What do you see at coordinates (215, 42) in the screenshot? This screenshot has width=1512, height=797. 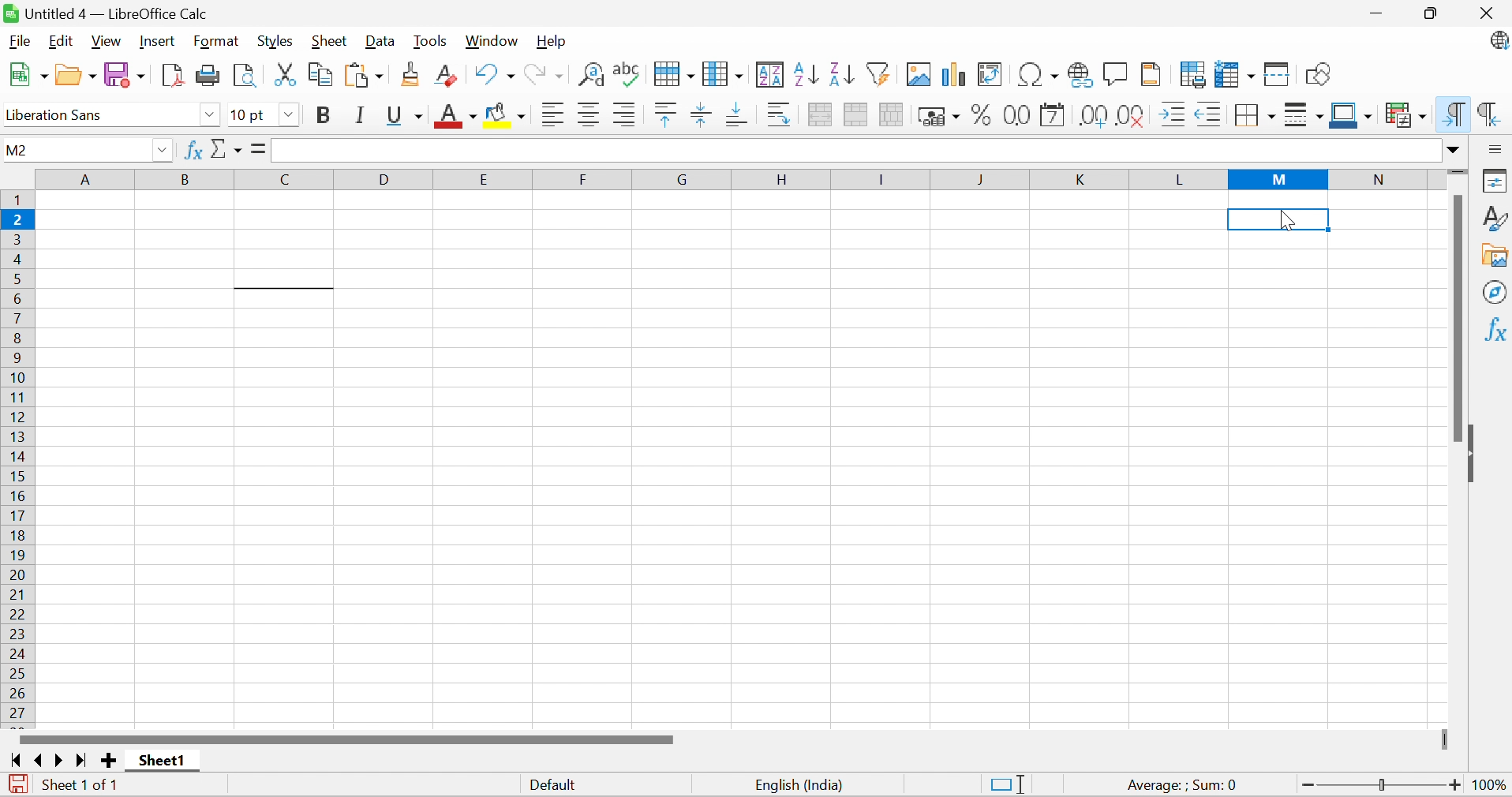 I see `Format` at bounding box center [215, 42].